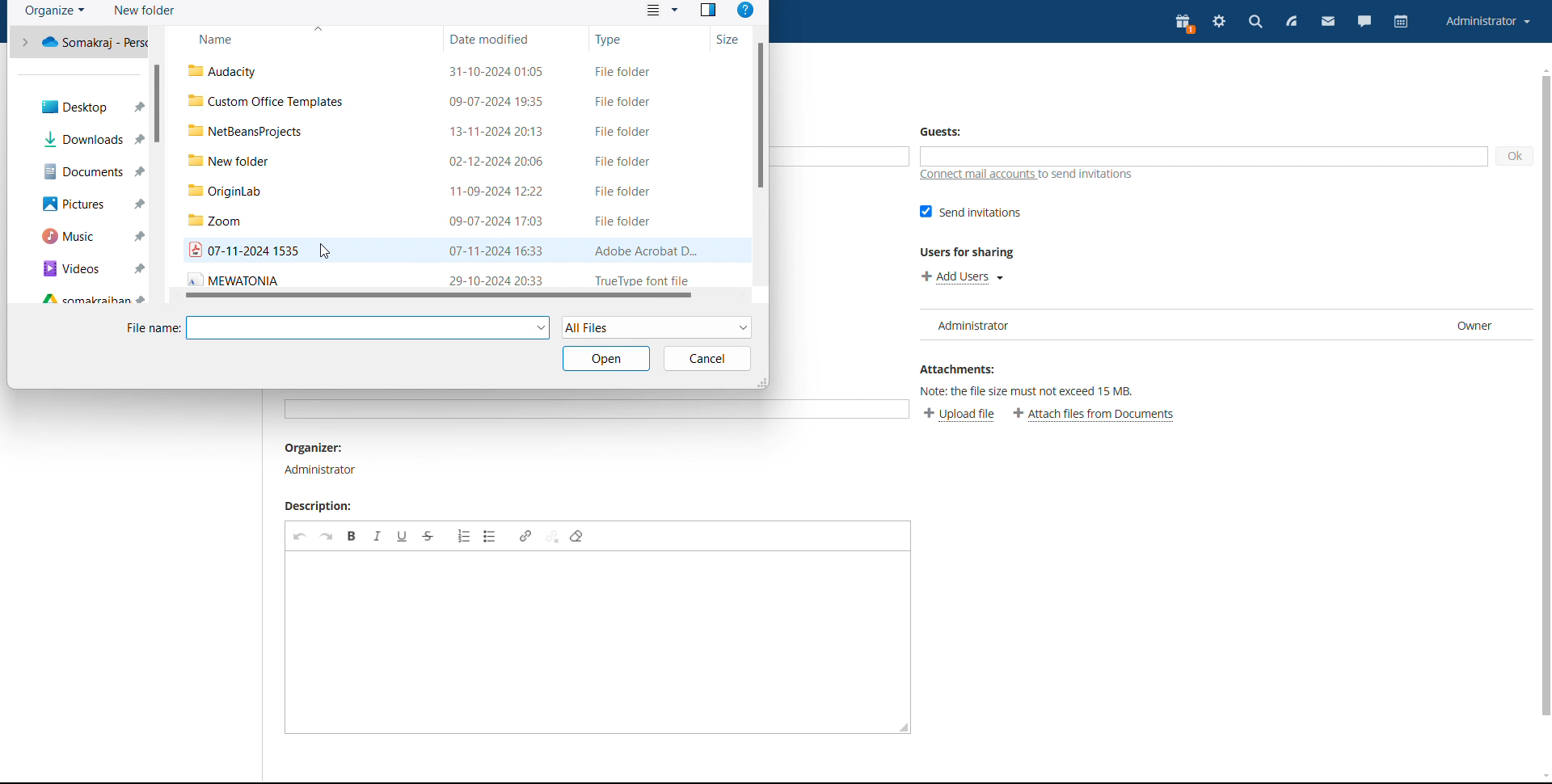  Describe the element at coordinates (92, 239) in the screenshot. I see `` at that location.